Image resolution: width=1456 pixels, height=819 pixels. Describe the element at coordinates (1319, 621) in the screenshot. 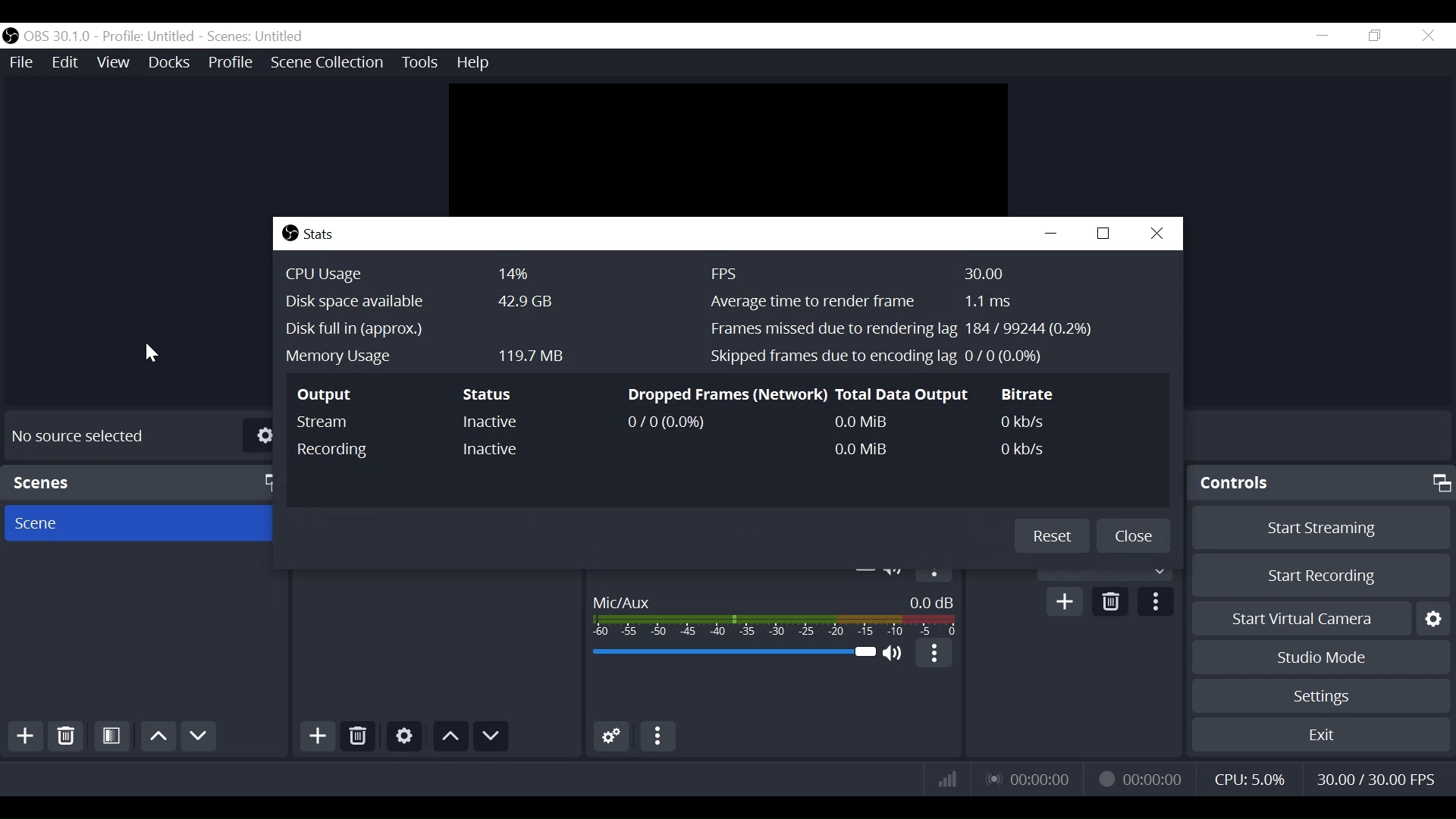

I see `Start Virtual Camera` at that location.